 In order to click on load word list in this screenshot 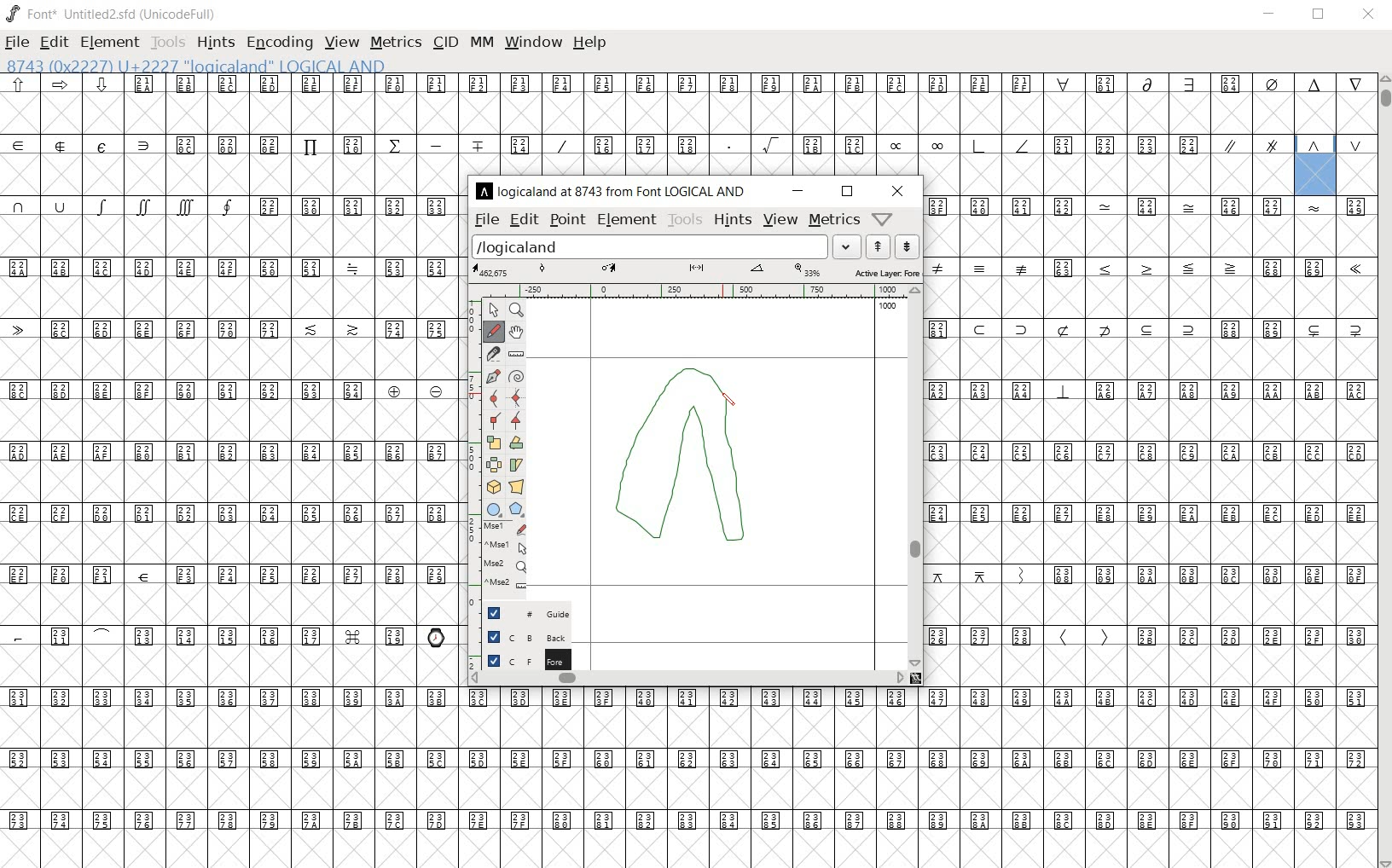, I will do `click(665, 246)`.